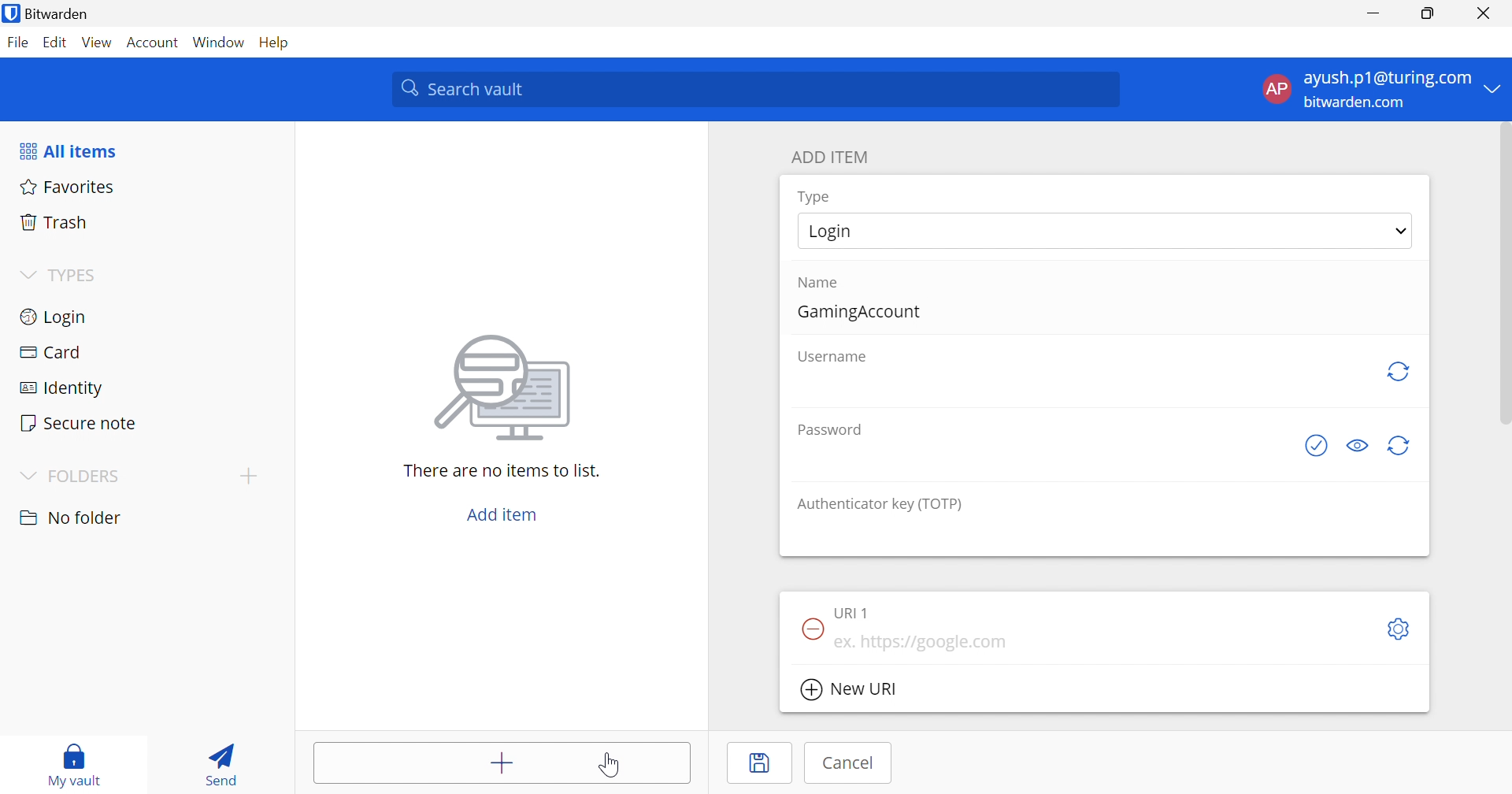 This screenshot has height=794, width=1512. I want to click on File, so click(18, 43).